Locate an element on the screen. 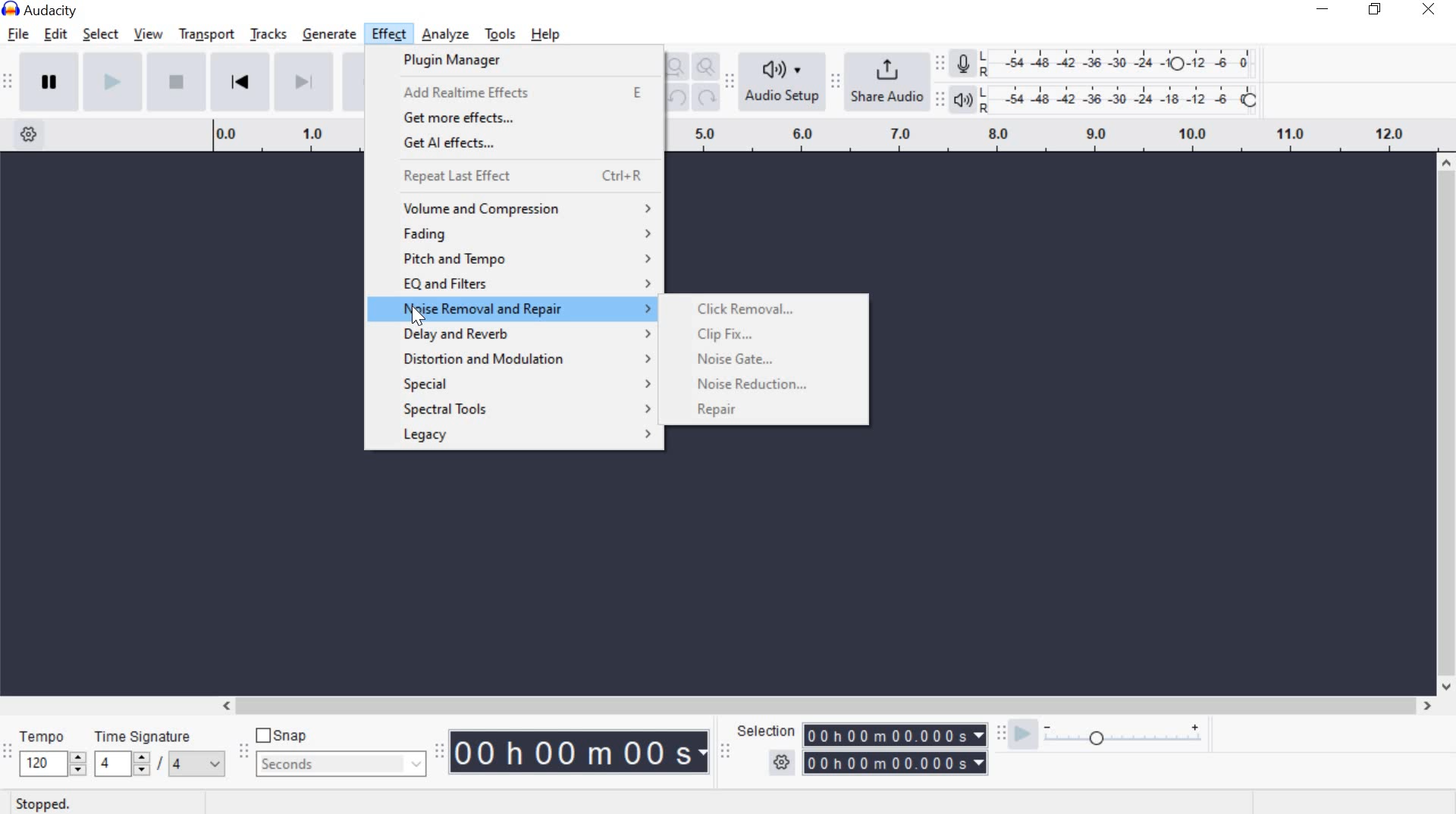 The image size is (1456, 814). repeat last effect is located at coordinates (529, 176).